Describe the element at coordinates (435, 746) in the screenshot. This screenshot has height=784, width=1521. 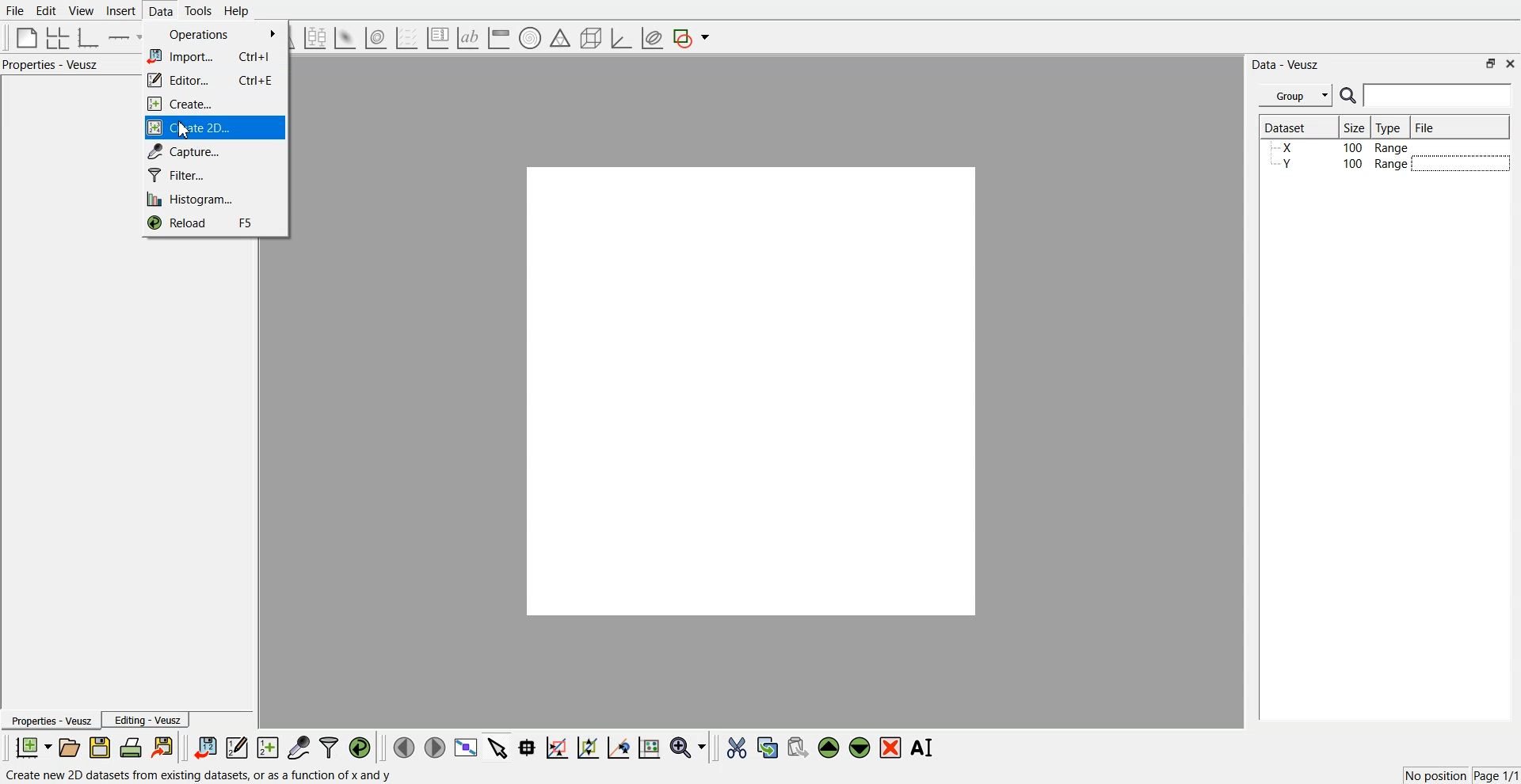
I see `Move to the next page` at that location.